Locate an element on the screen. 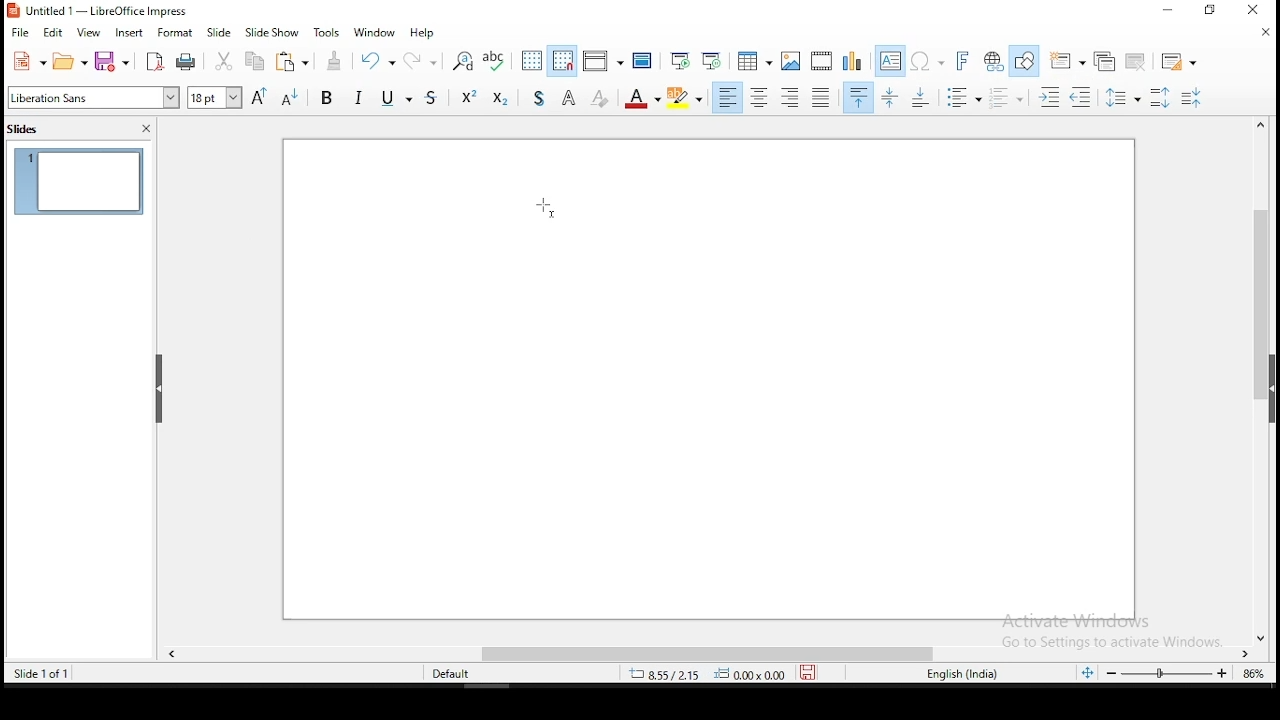 This screenshot has width=1280, height=720. tools is located at coordinates (323, 32).